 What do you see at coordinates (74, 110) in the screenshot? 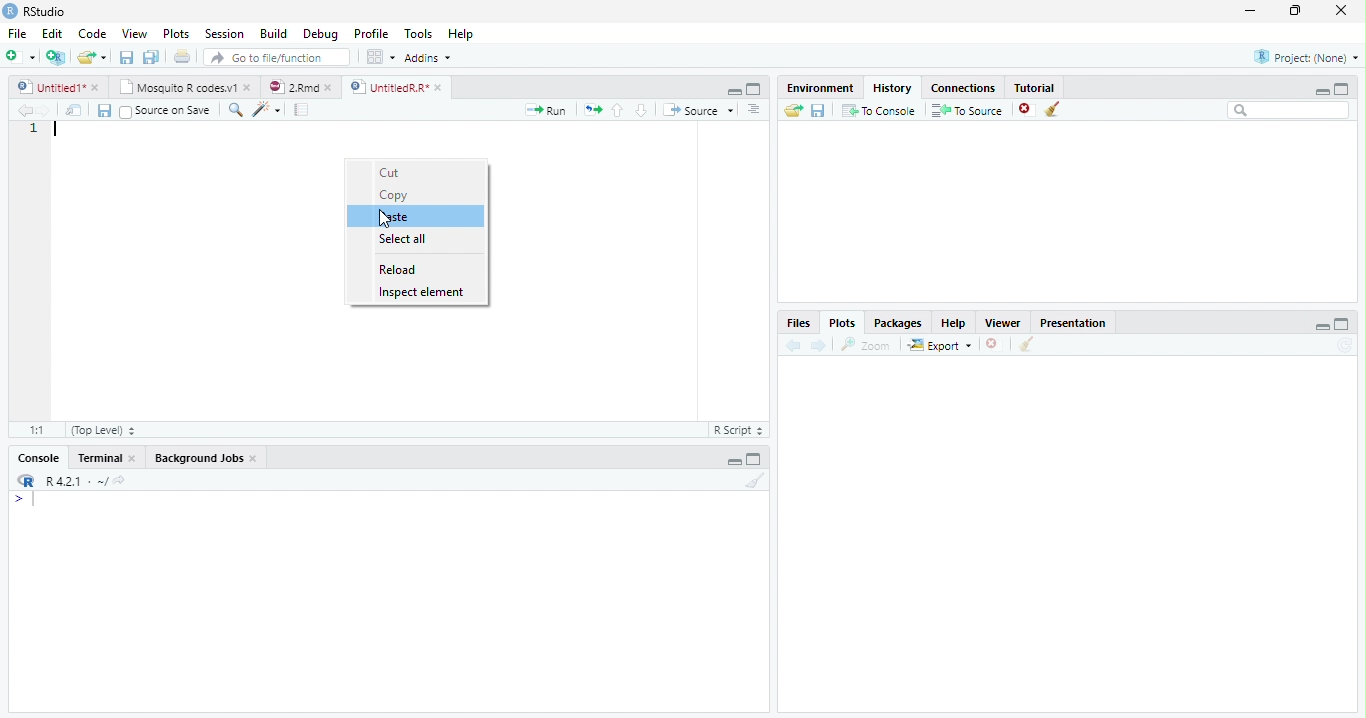
I see `Show in new window` at bounding box center [74, 110].